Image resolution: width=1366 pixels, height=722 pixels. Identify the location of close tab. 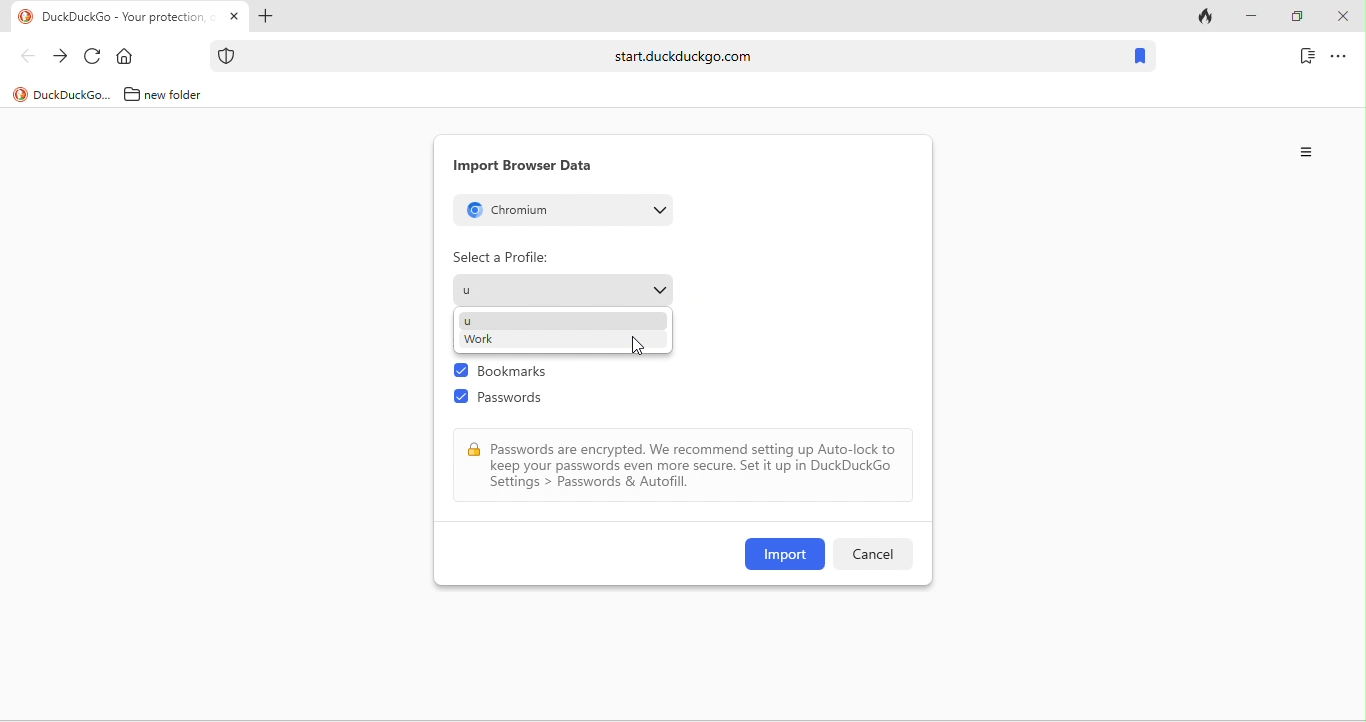
(234, 17).